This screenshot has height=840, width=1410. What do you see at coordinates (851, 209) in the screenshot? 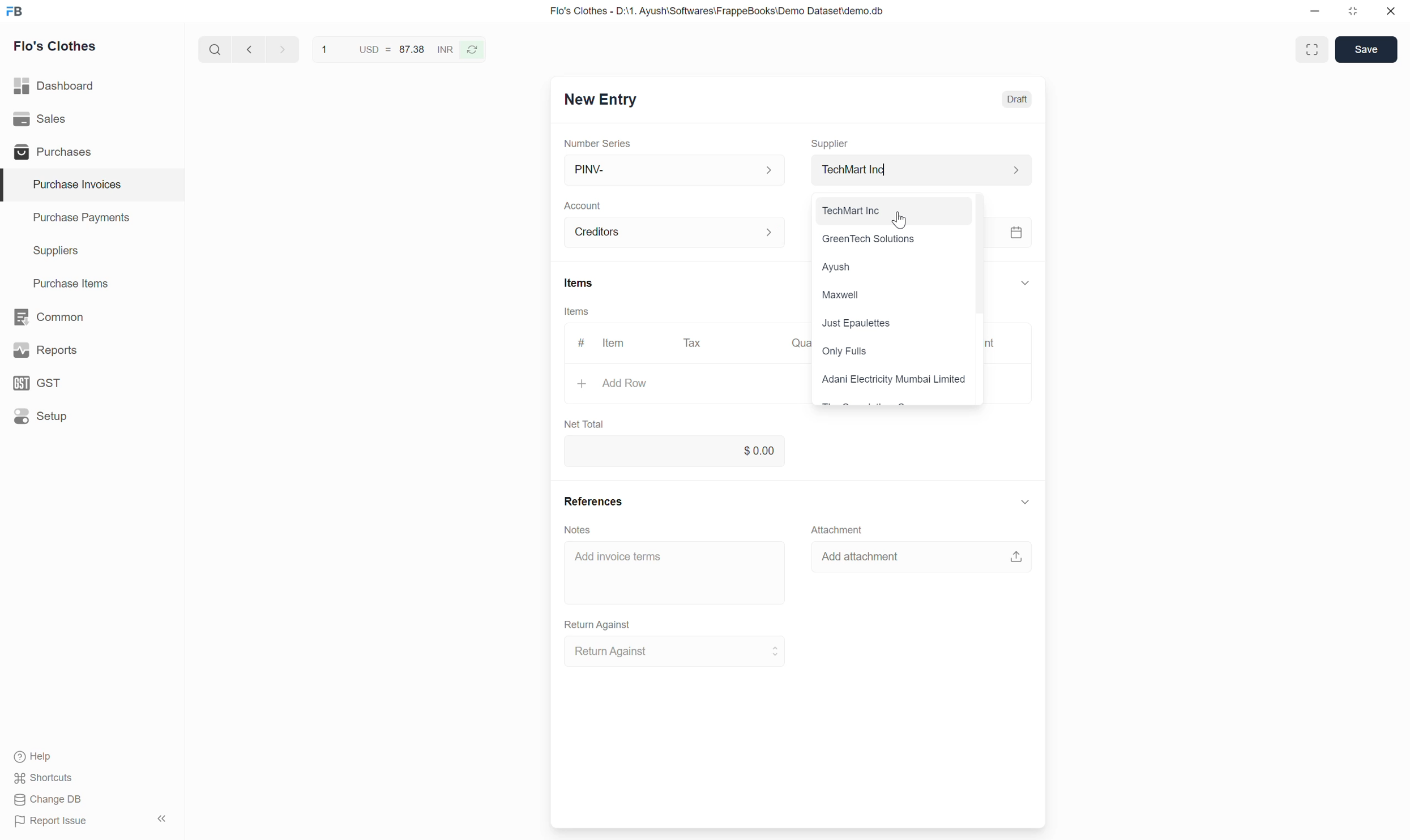
I see `TechMart Inc` at bounding box center [851, 209].